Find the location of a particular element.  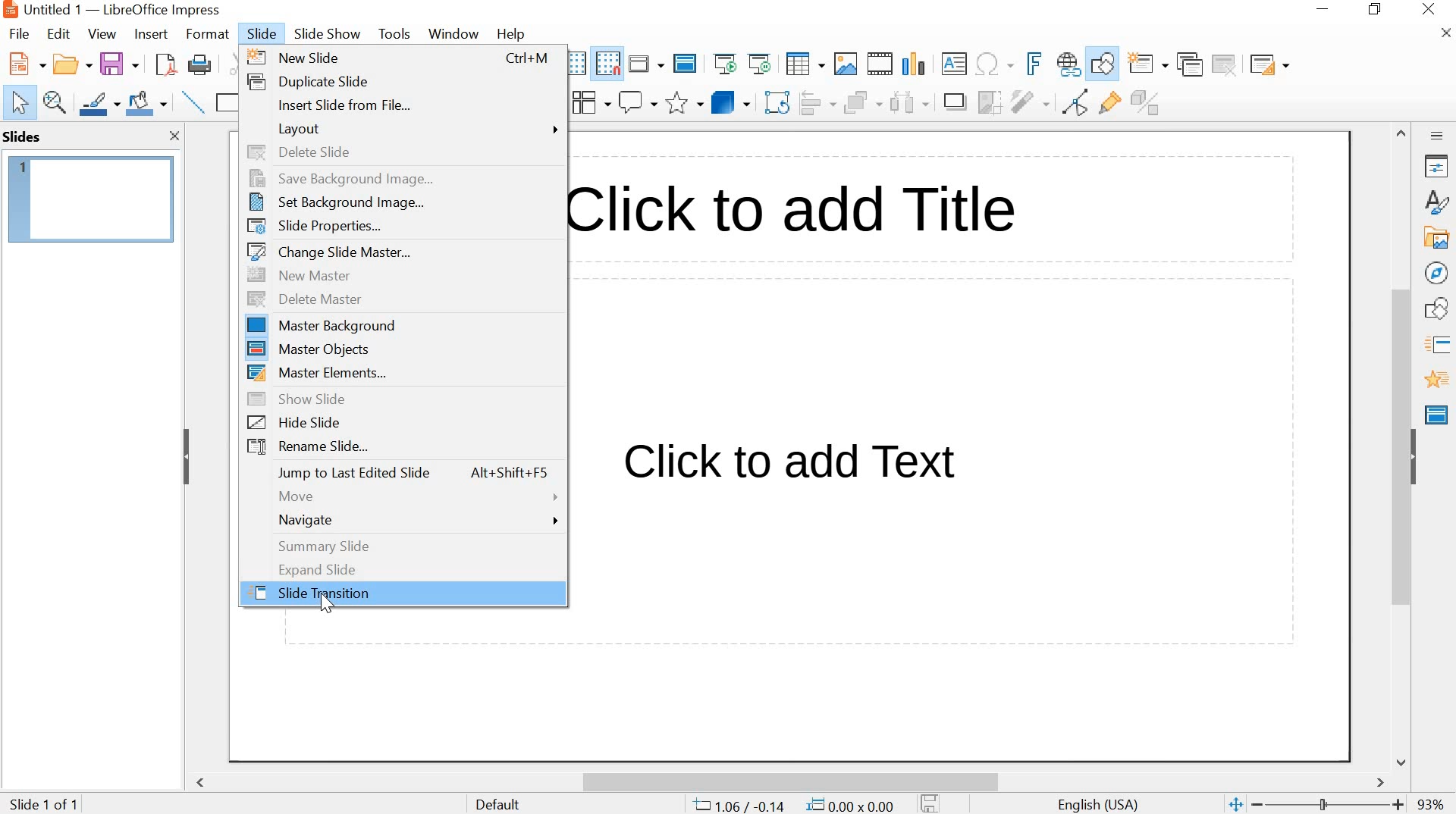

new slide is located at coordinates (400, 56).